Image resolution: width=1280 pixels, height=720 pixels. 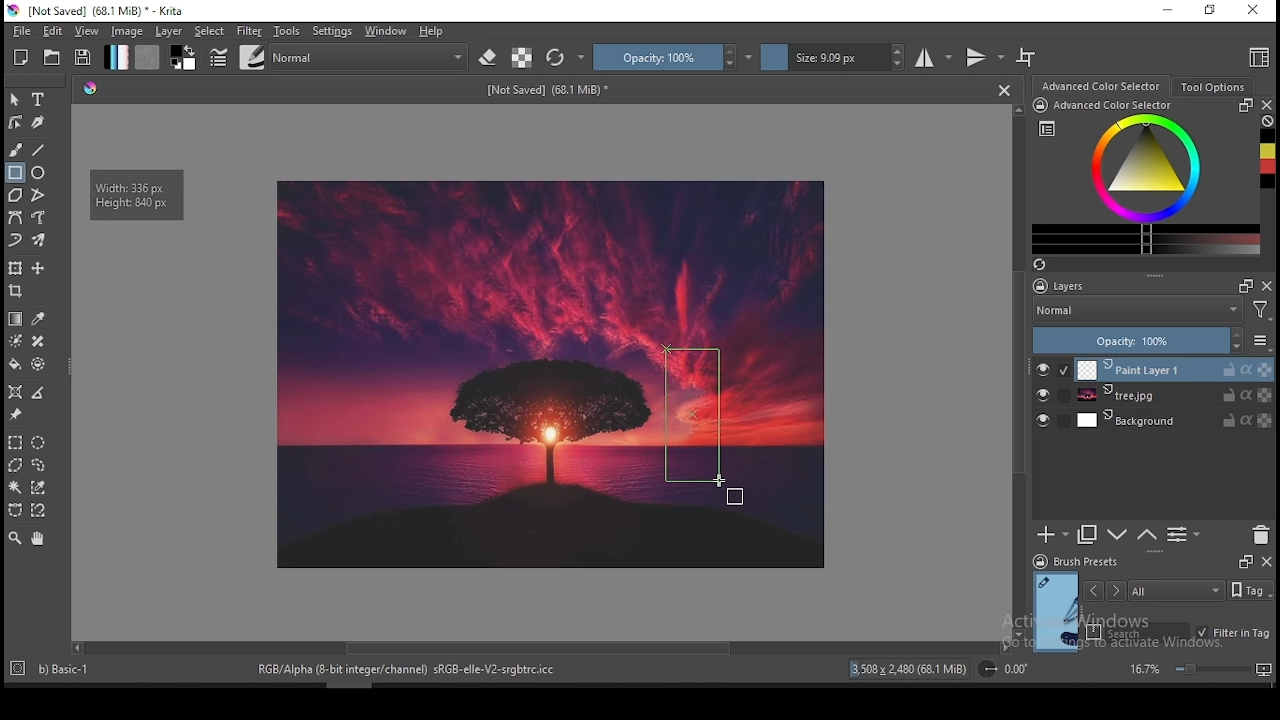 What do you see at coordinates (52, 31) in the screenshot?
I see `edit` at bounding box center [52, 31].